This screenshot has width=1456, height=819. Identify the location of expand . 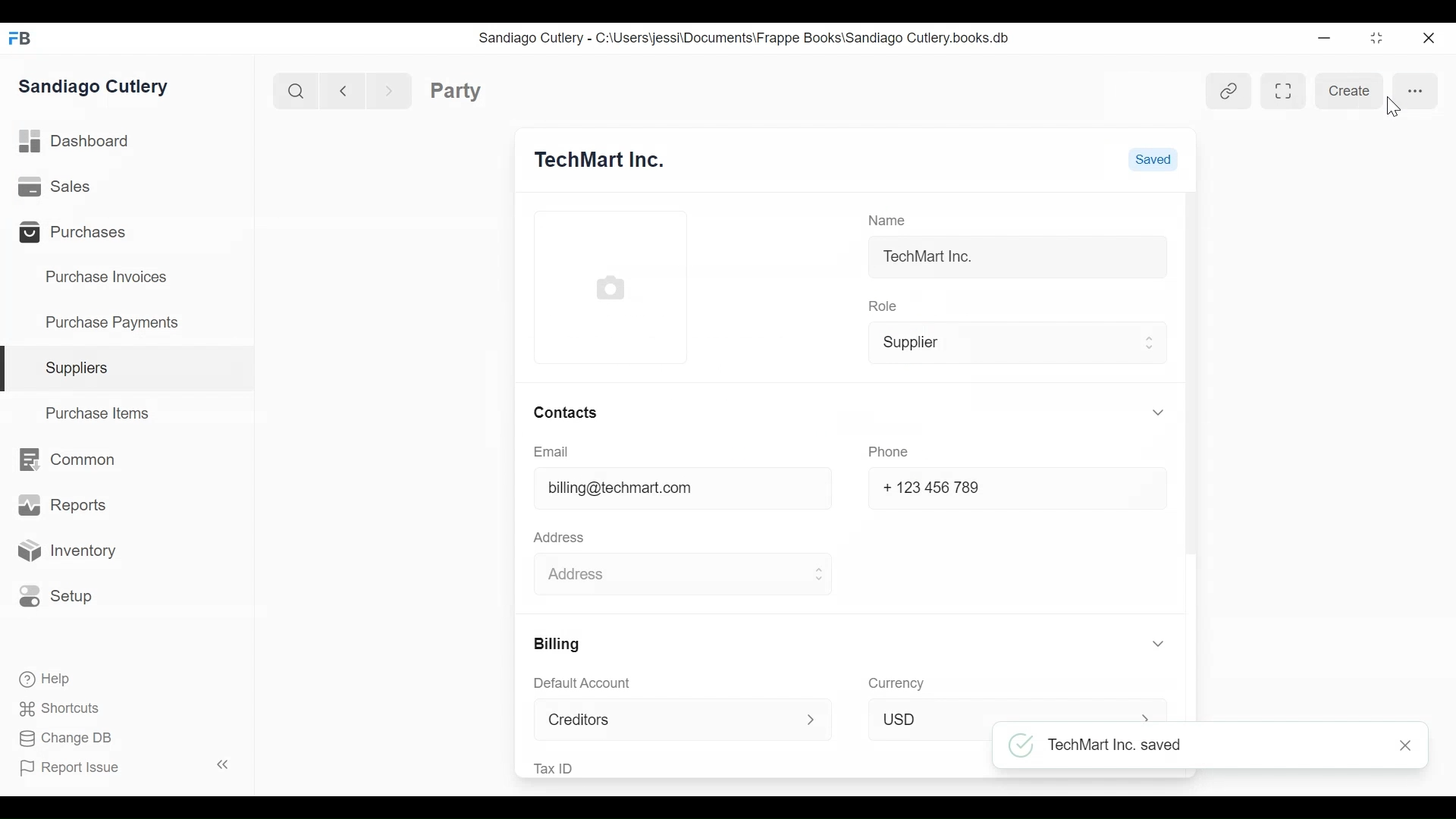
(1147, 415).